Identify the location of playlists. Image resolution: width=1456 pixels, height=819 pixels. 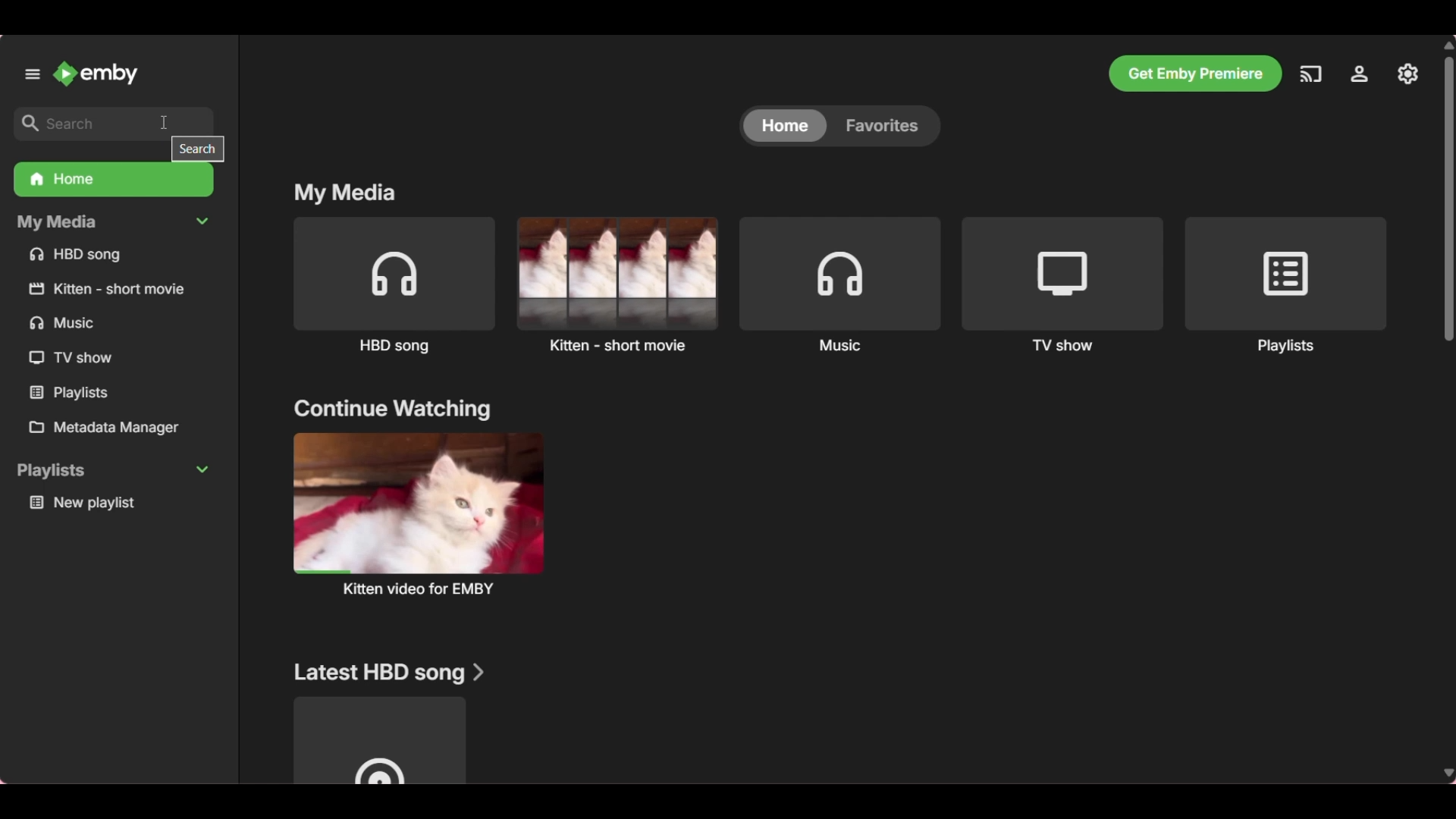
(114, 471).